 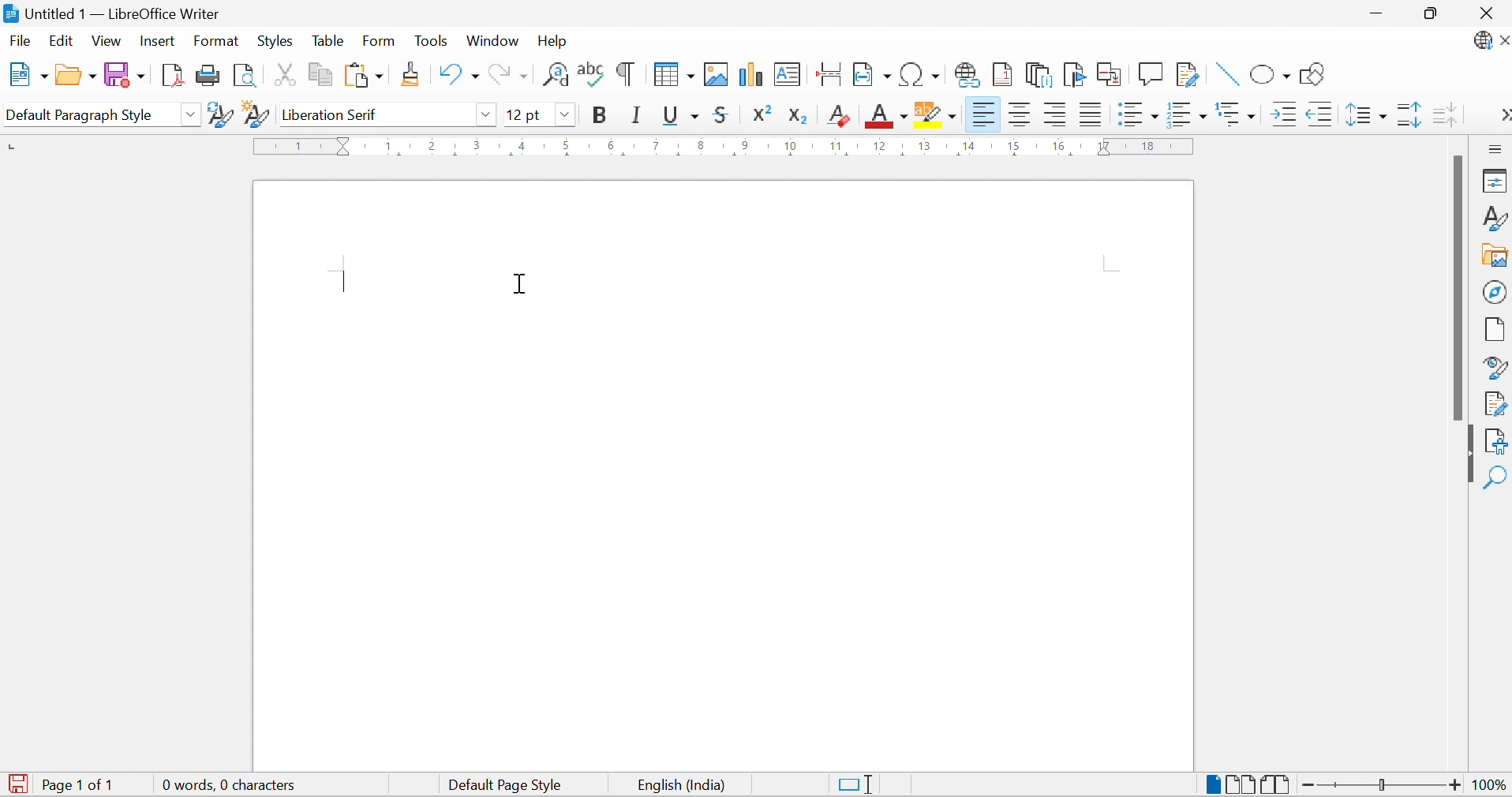 I want to click on Update Selected Style, so click(x=219, y=114).